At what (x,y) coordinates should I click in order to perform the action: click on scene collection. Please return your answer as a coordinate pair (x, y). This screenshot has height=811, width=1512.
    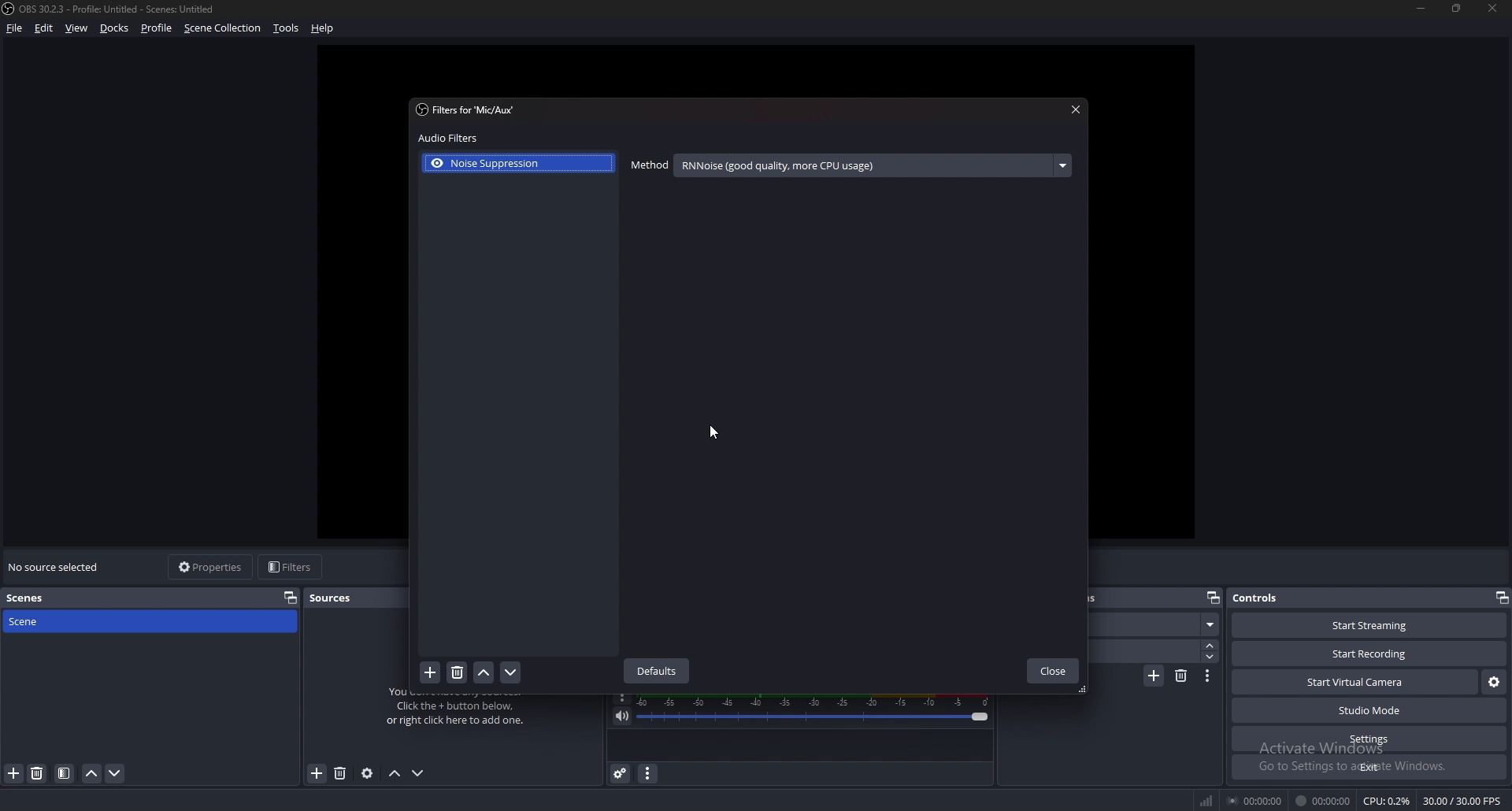
    Looking at the image, I should click on (224, 28).